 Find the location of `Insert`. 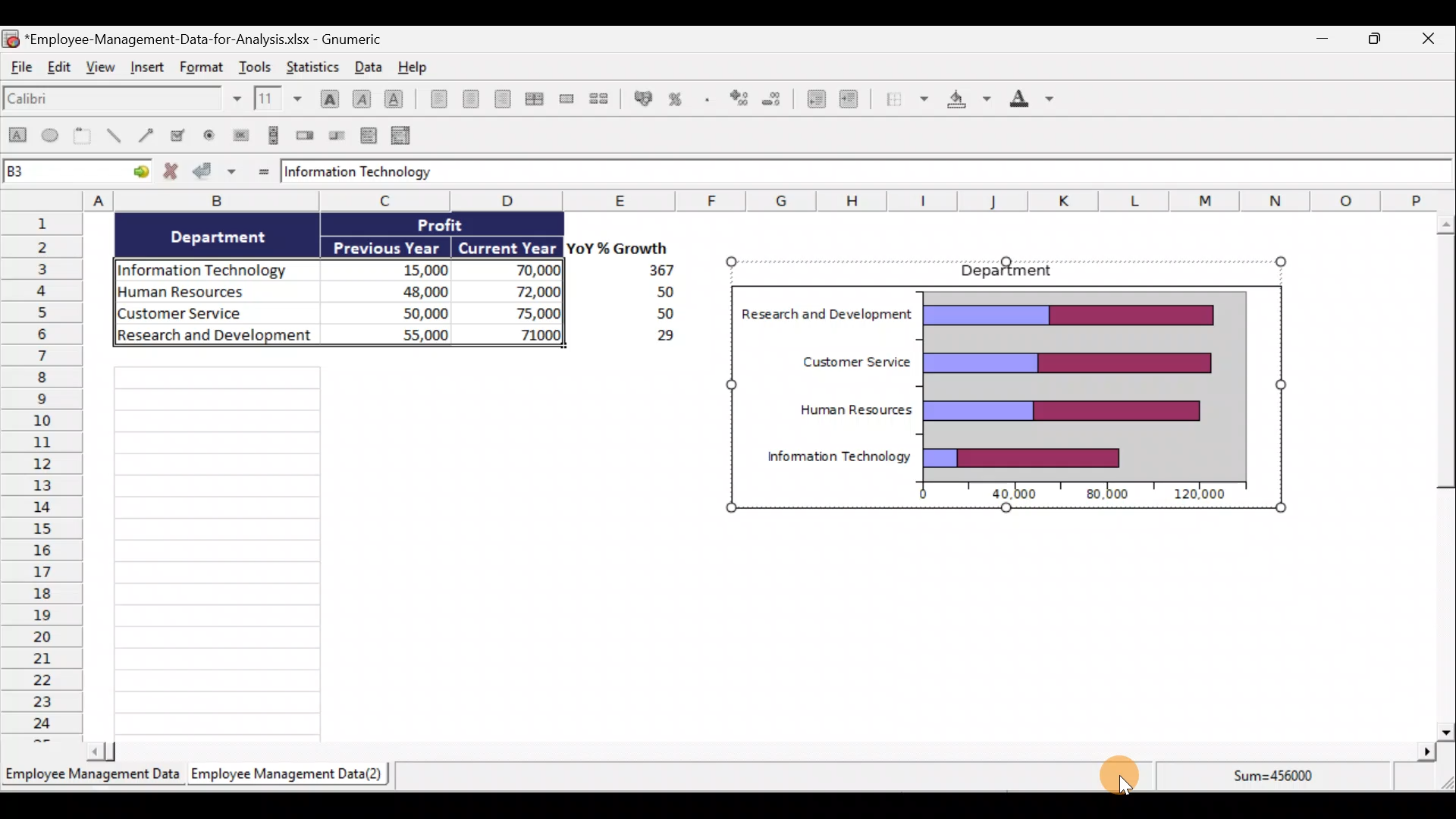

Insert is located at coordinates (149, 72).